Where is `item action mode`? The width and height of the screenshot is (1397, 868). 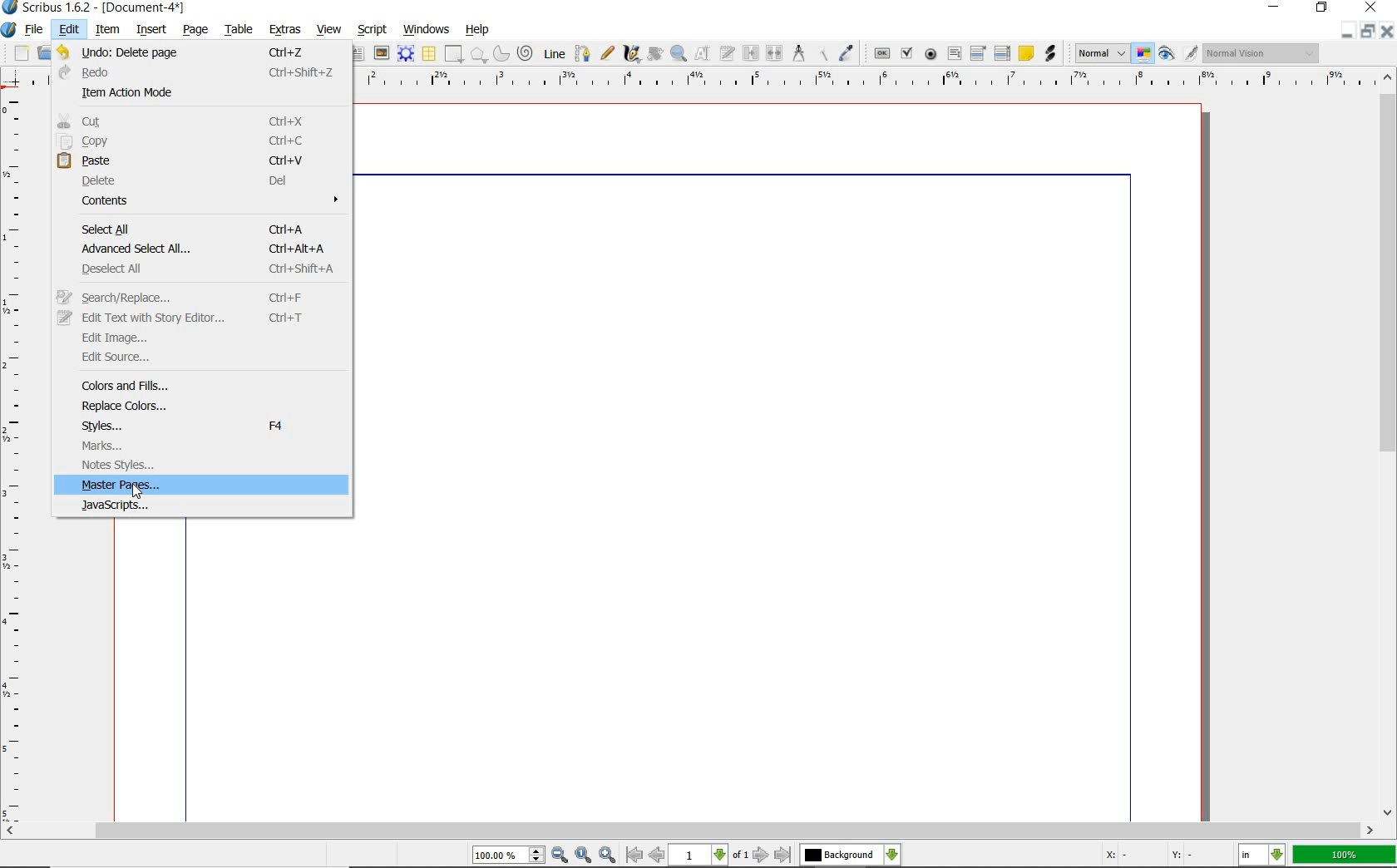 item action mode is located at coordinates (200, 92).